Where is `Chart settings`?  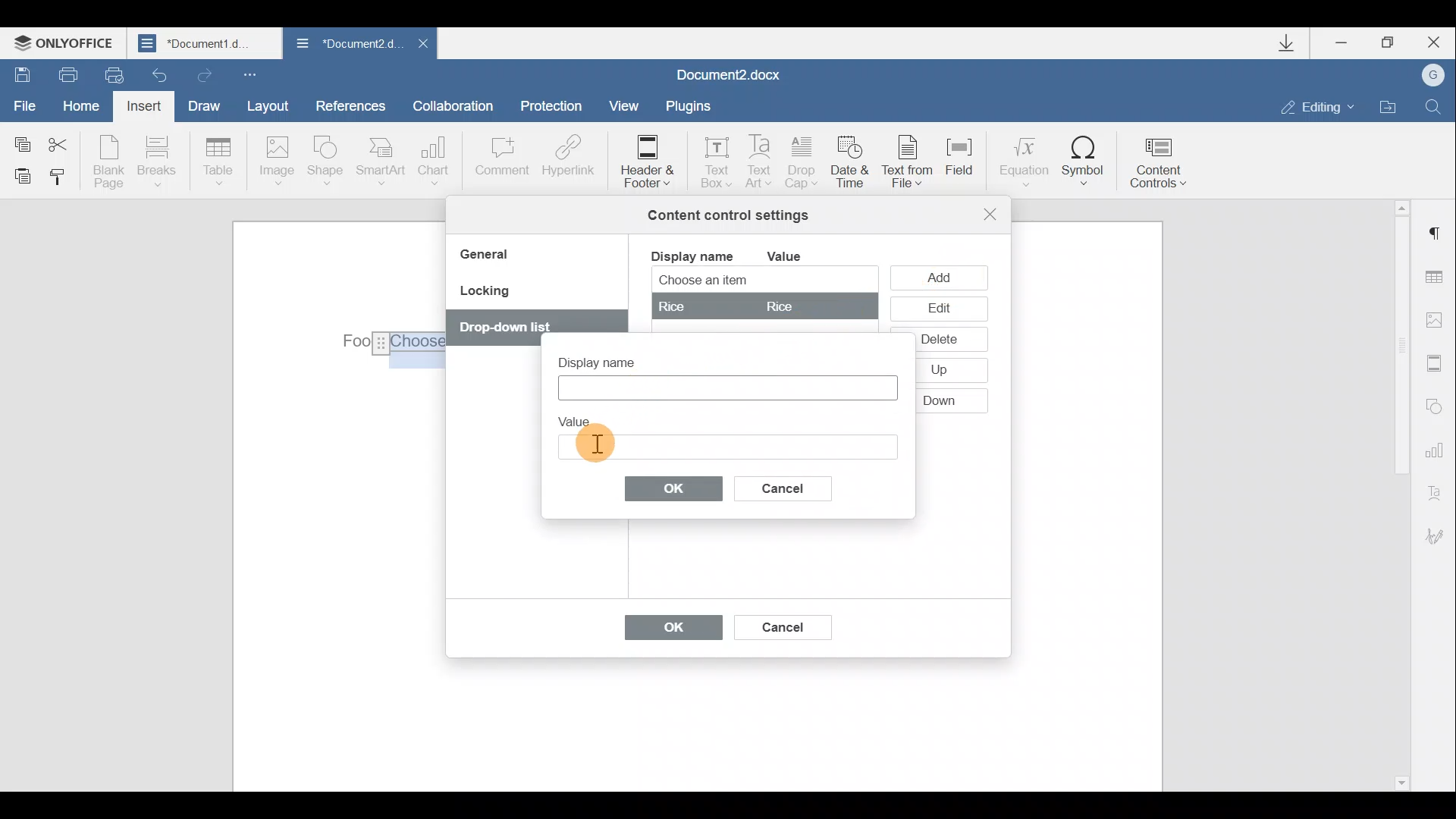 Chart settings is located at coordinates (1437, 448).